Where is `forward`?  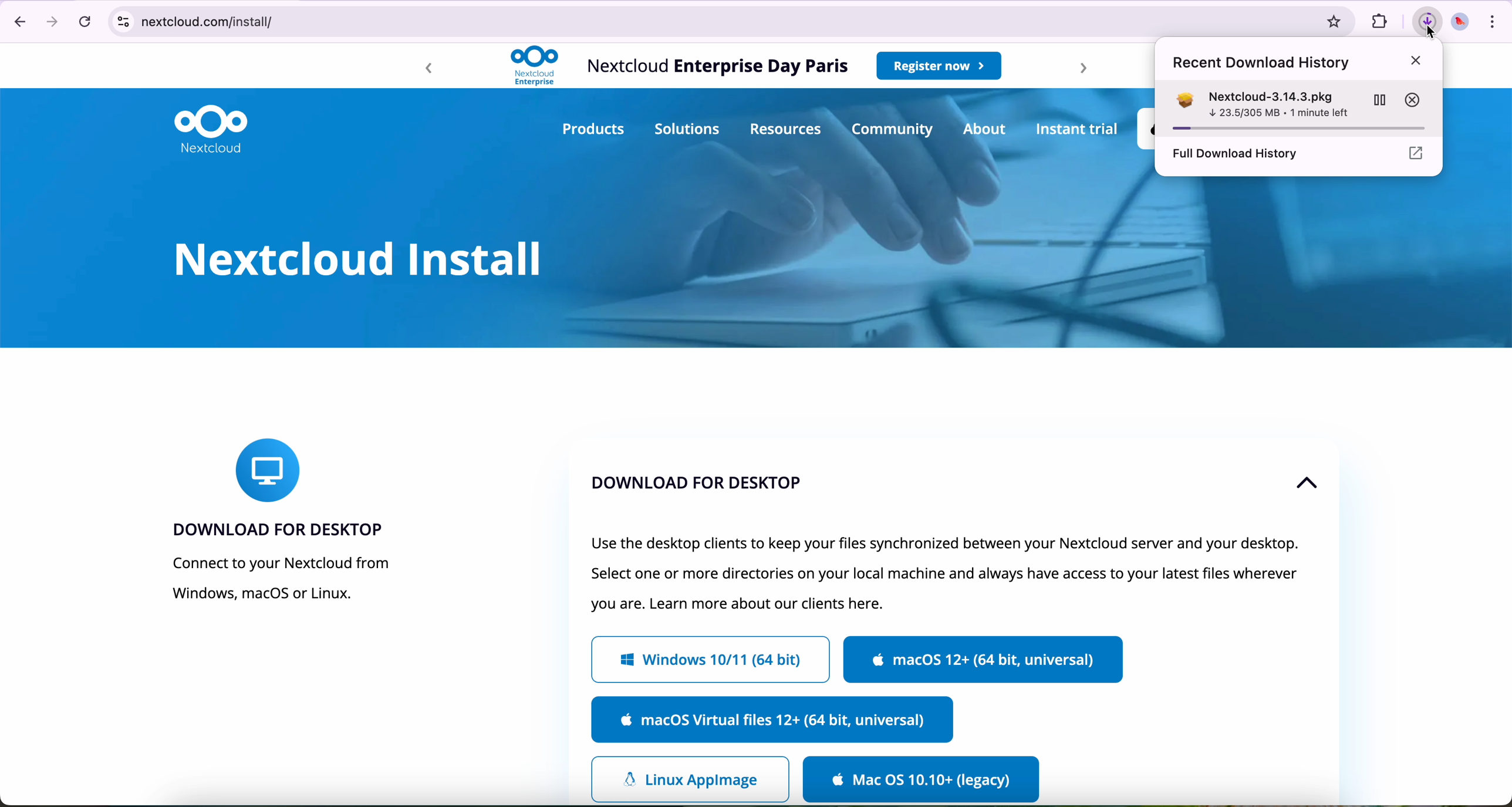
forward is located at coordinates (1076, 69).